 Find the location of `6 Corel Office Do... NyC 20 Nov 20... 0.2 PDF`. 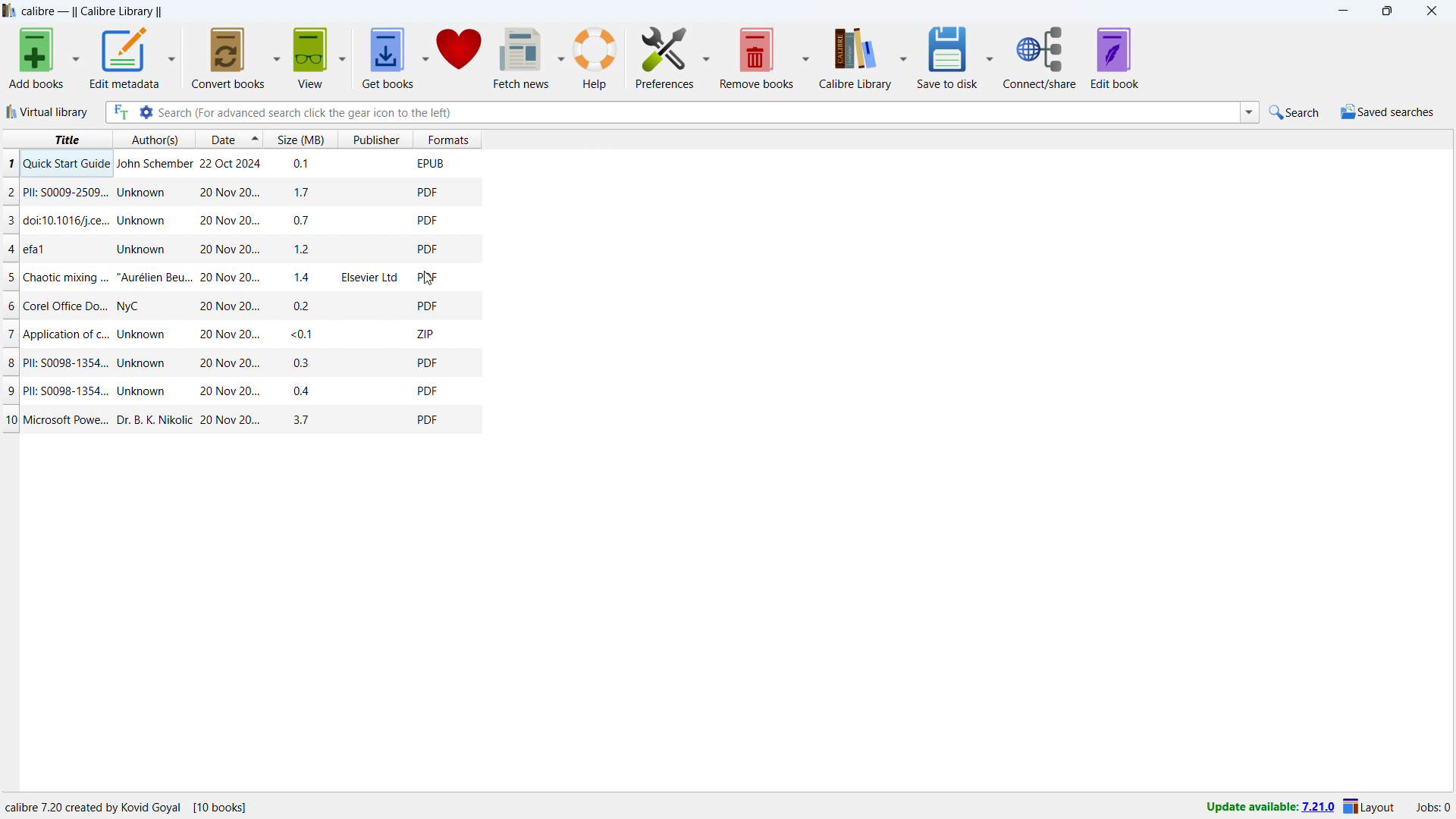

6 Corel Office Do... NyC 20 Nov 20... 0.2 PDF is located at coordinates (269, 304).